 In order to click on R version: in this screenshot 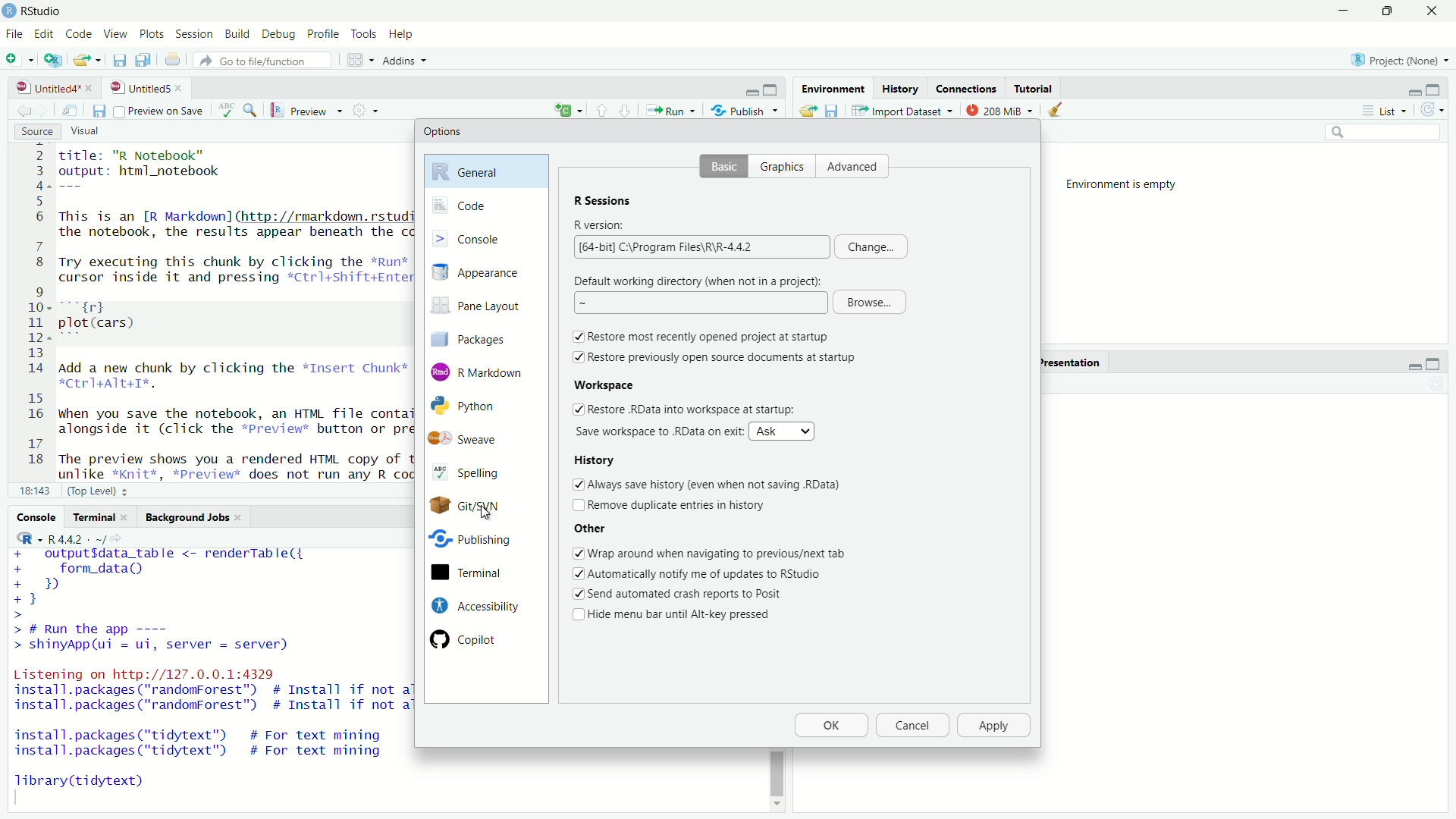, I will do `click(601, 226)`.